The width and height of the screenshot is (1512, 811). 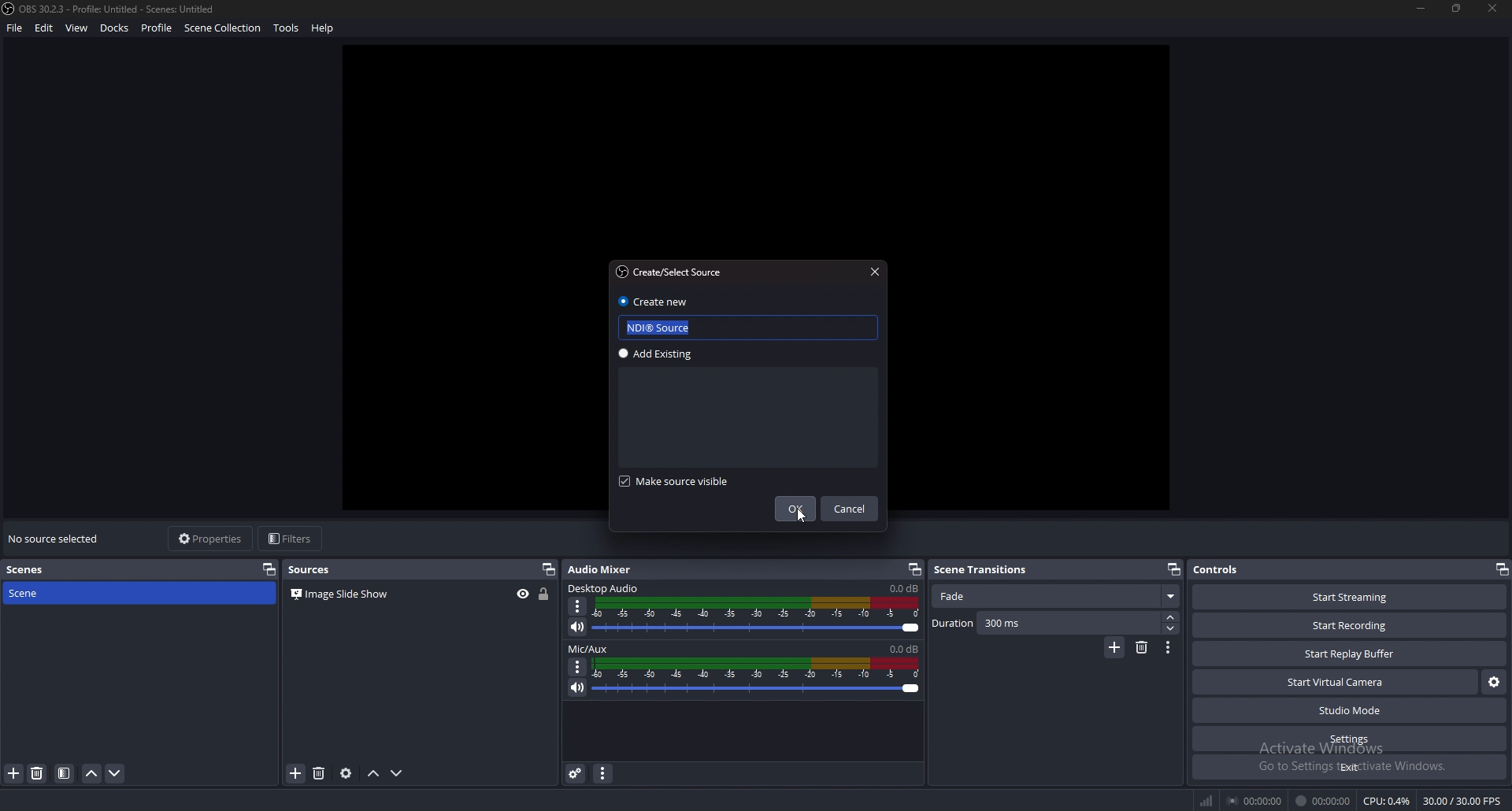 I want to click on resize, so click(x=1458, y=8).